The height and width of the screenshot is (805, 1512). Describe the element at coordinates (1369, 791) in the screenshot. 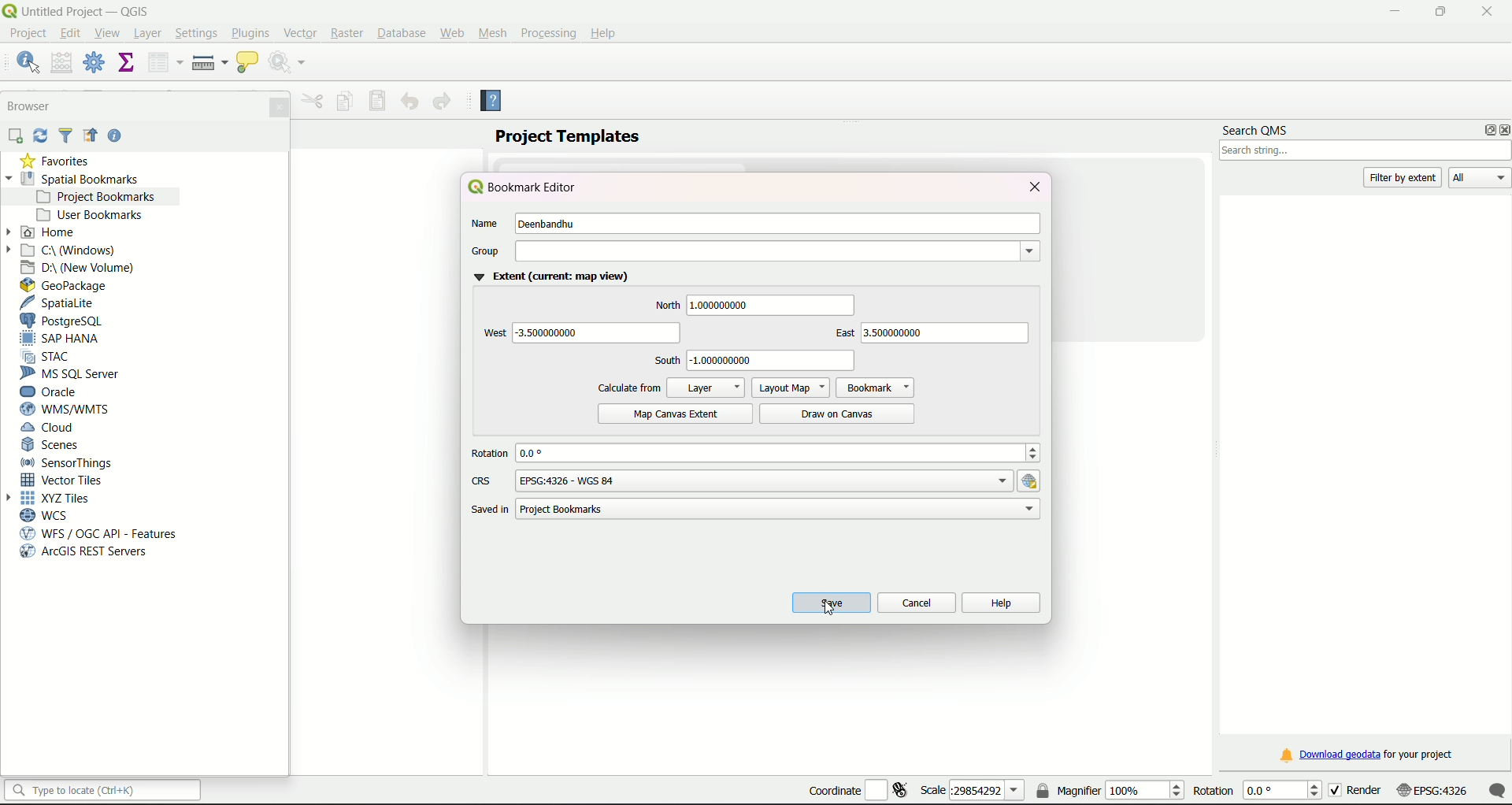

I see `render` at that location.